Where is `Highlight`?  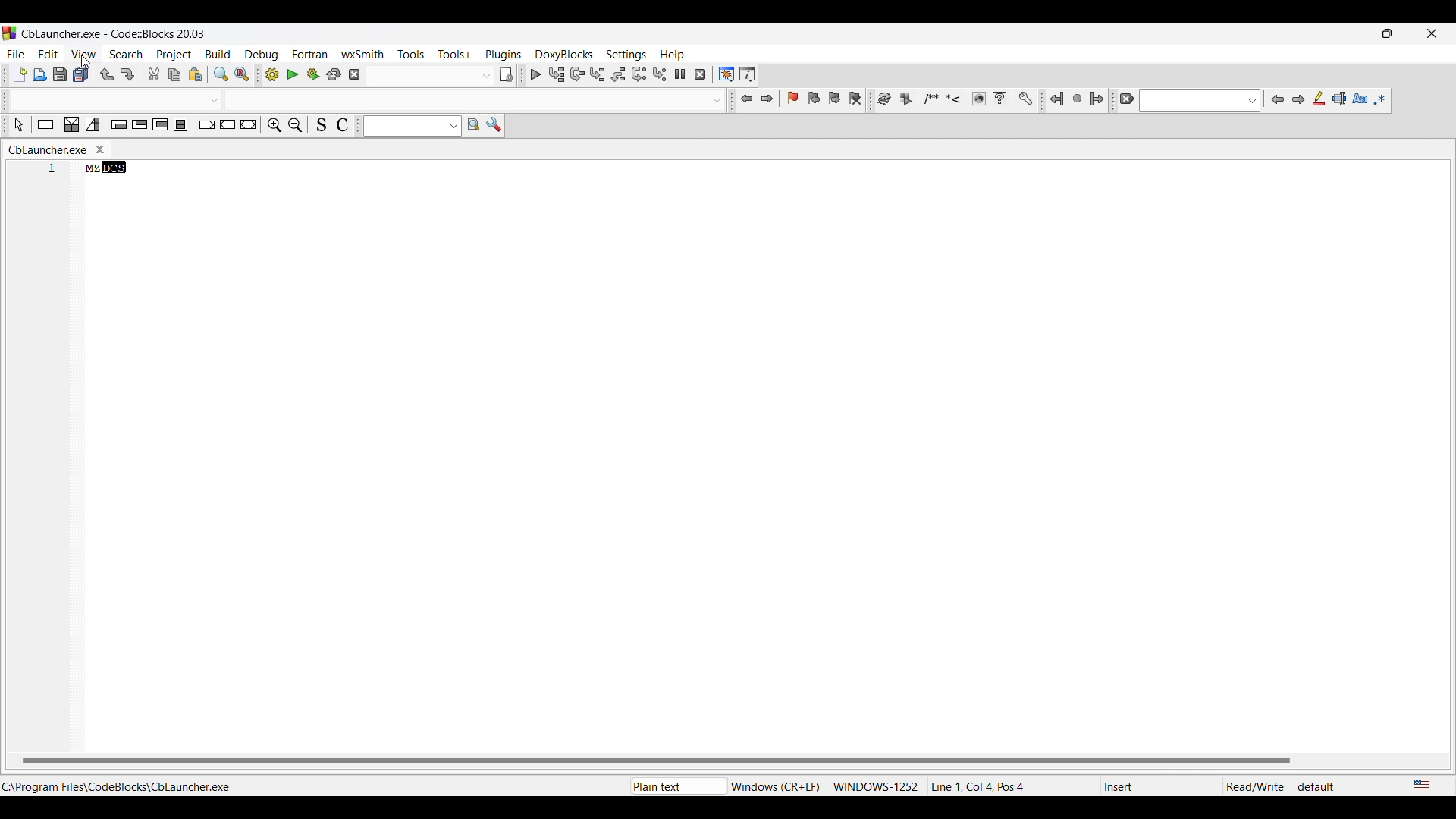 Highlight is located at coordinates (1319, 99).